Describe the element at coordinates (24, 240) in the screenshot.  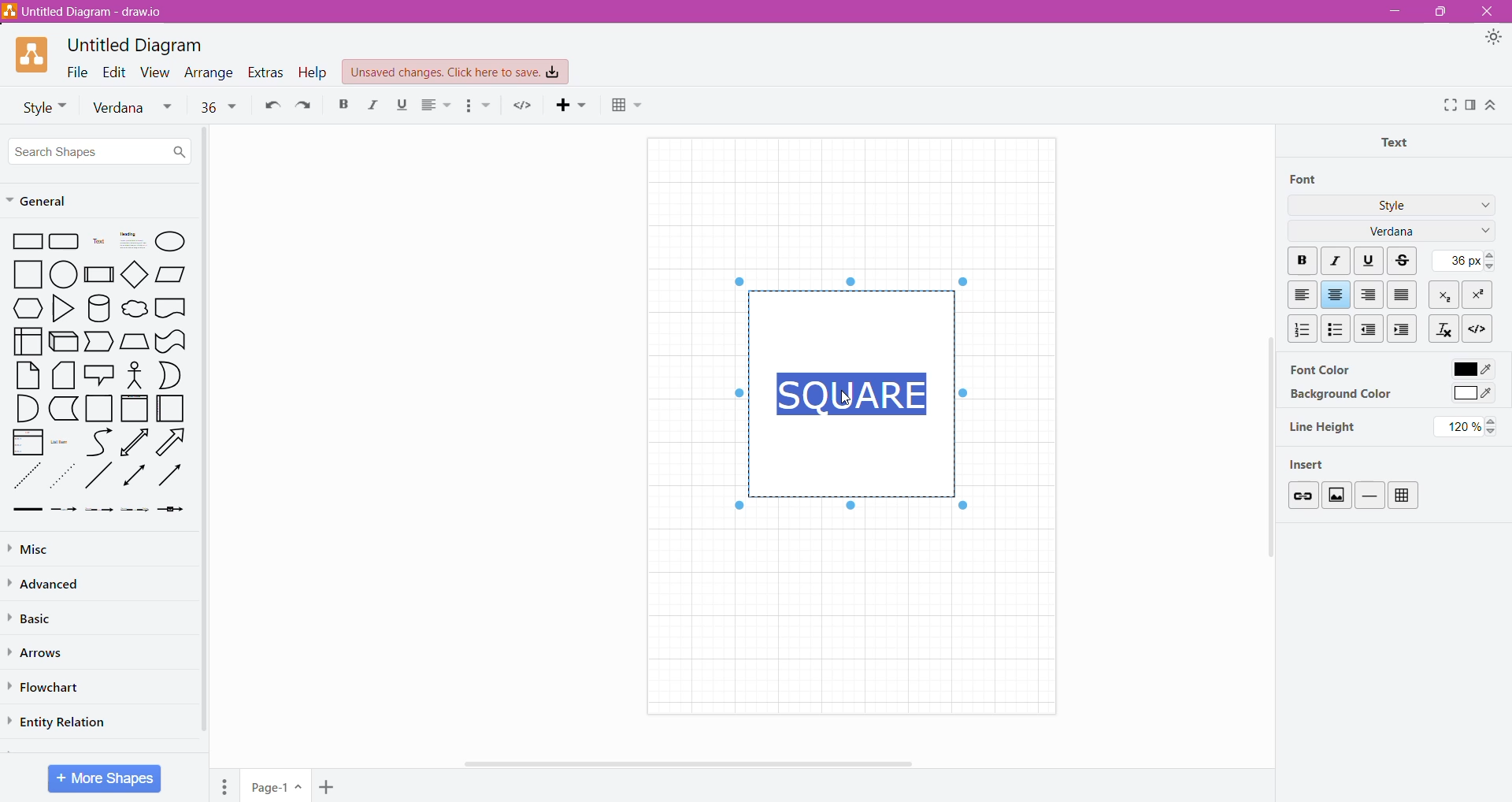
I see `Rectangle` at that location.